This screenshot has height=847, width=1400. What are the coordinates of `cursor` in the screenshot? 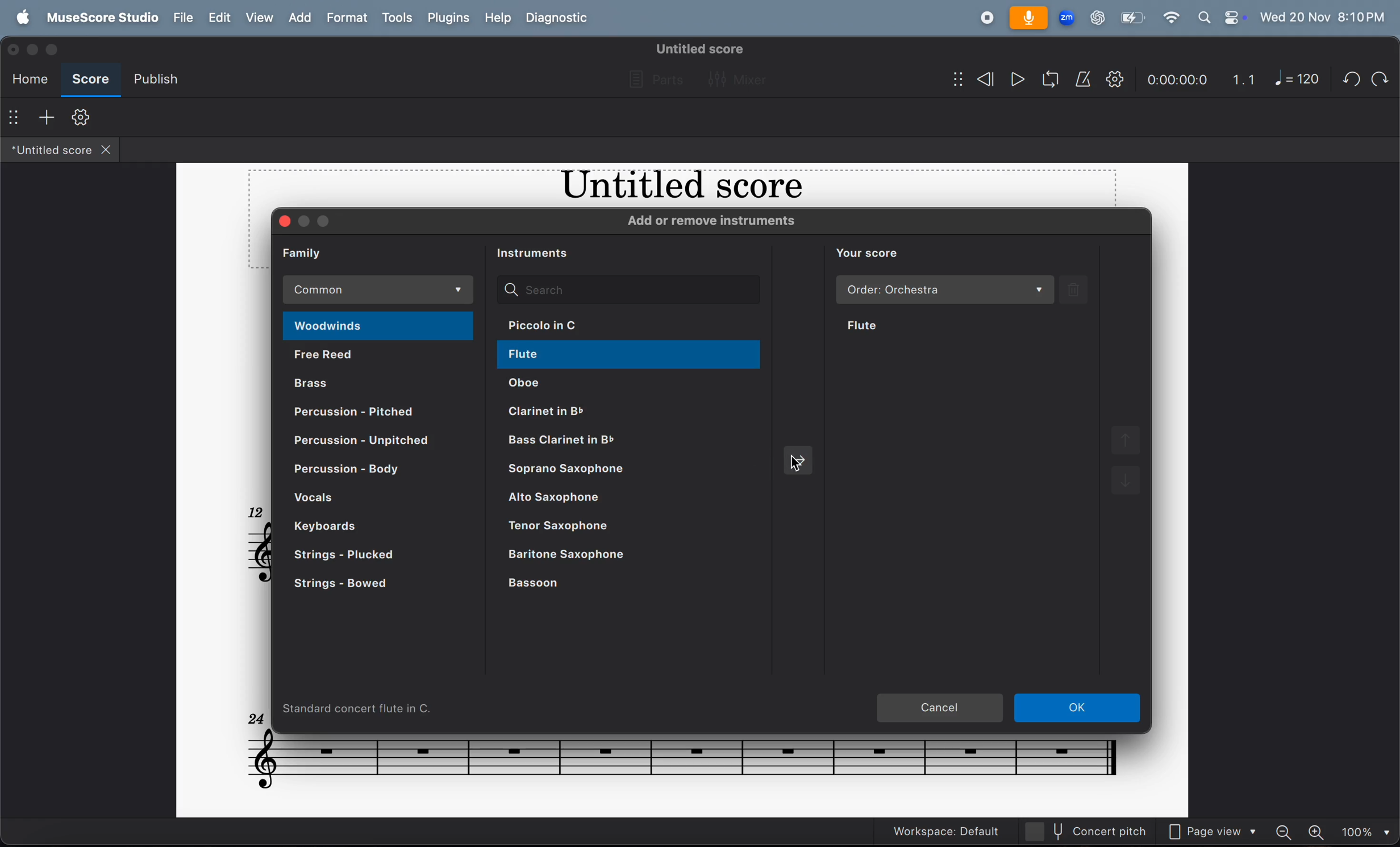 It's located at (799, 470).